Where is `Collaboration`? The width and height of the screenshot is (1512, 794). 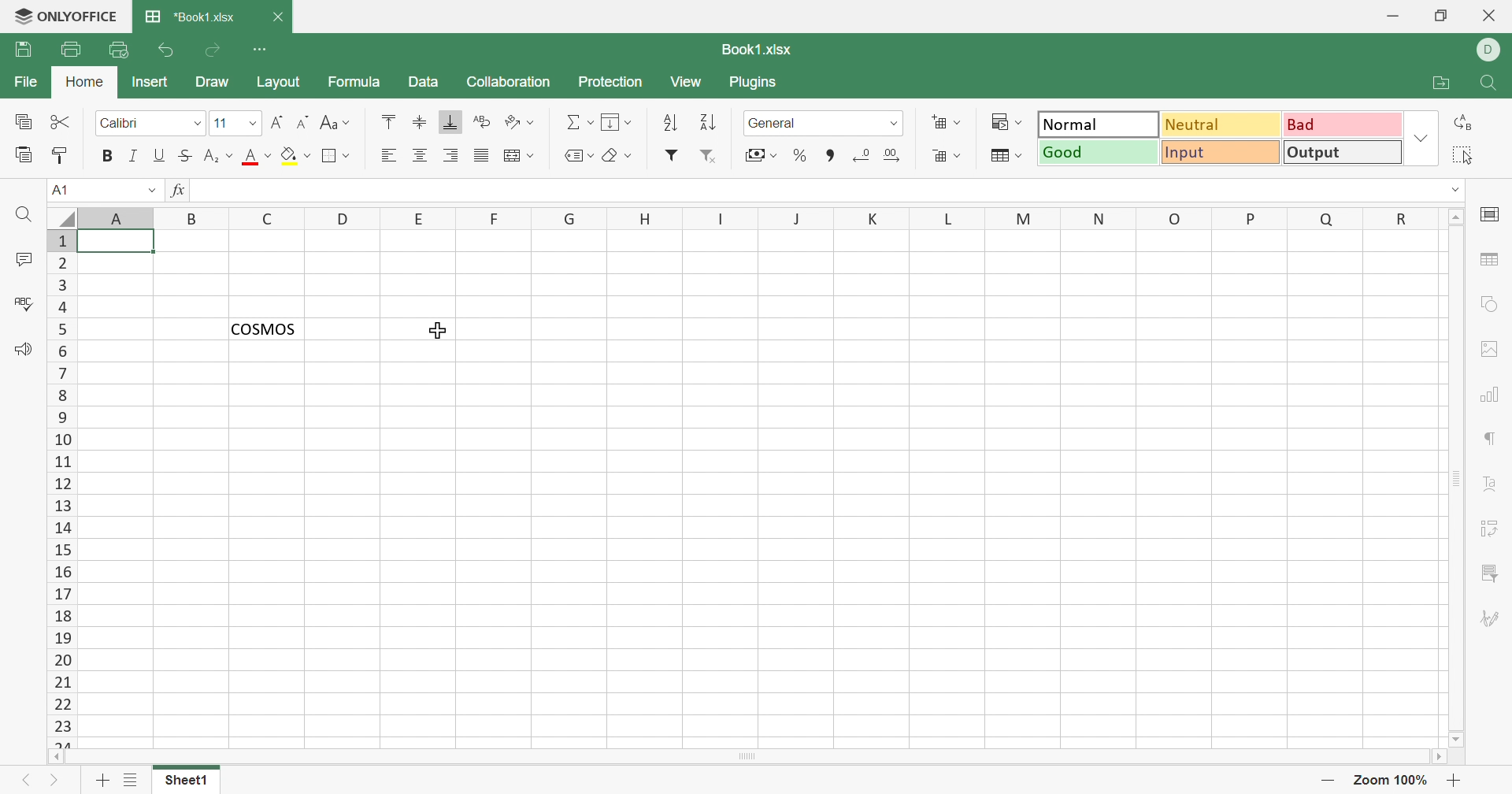 Collaboration is located at coordinates (510, 82).